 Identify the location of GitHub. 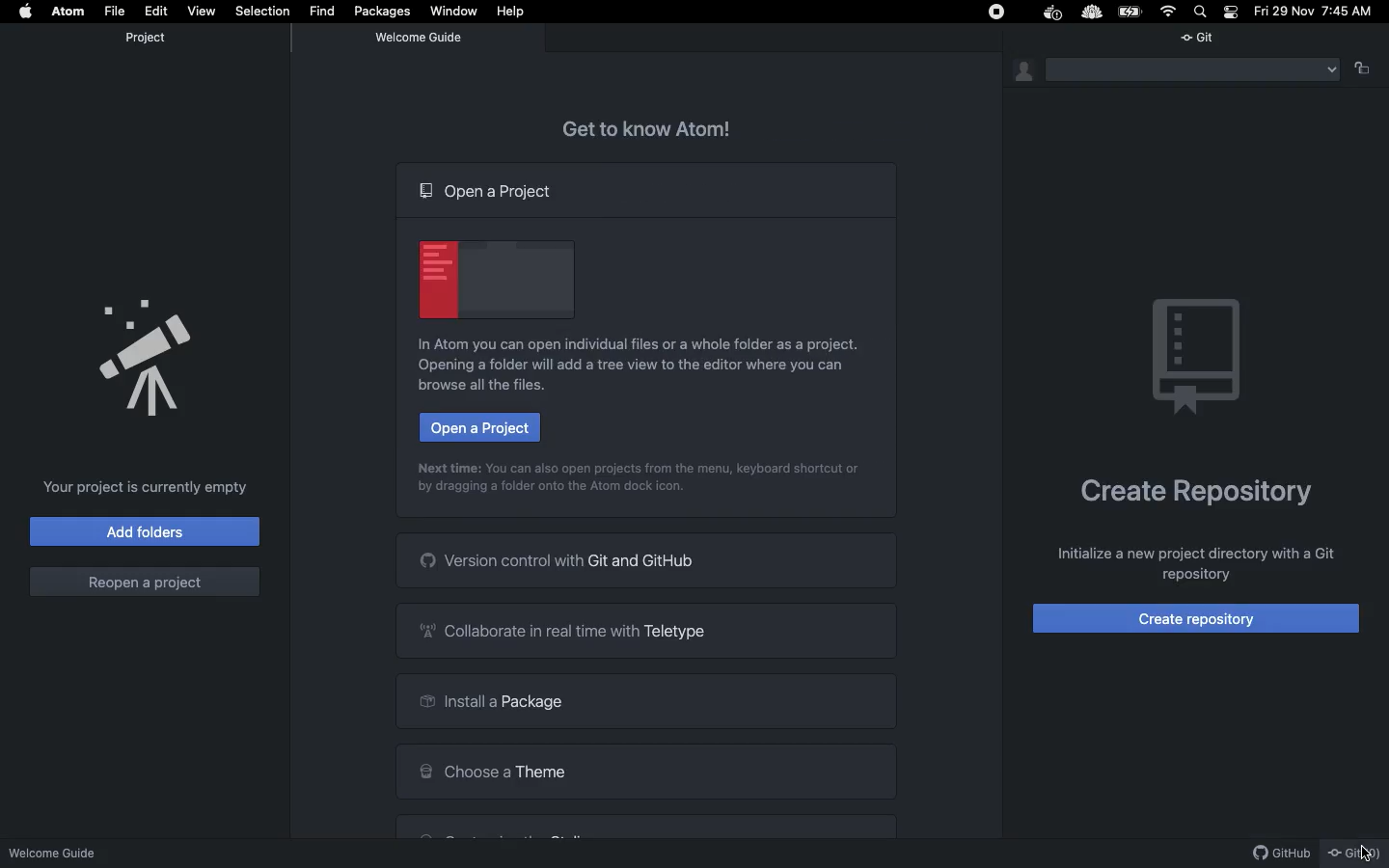
(1275, 852).